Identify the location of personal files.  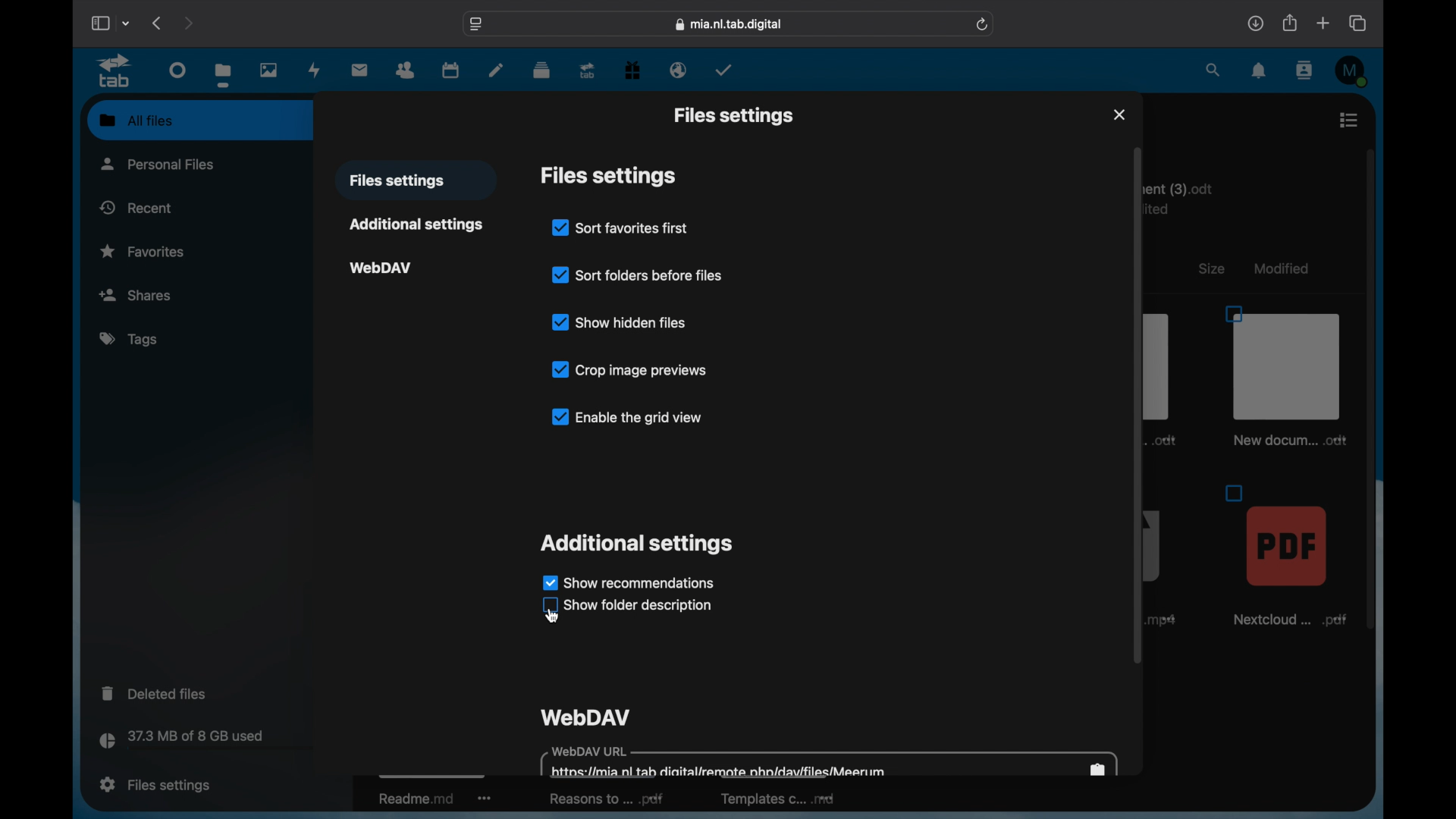
(158, 164).